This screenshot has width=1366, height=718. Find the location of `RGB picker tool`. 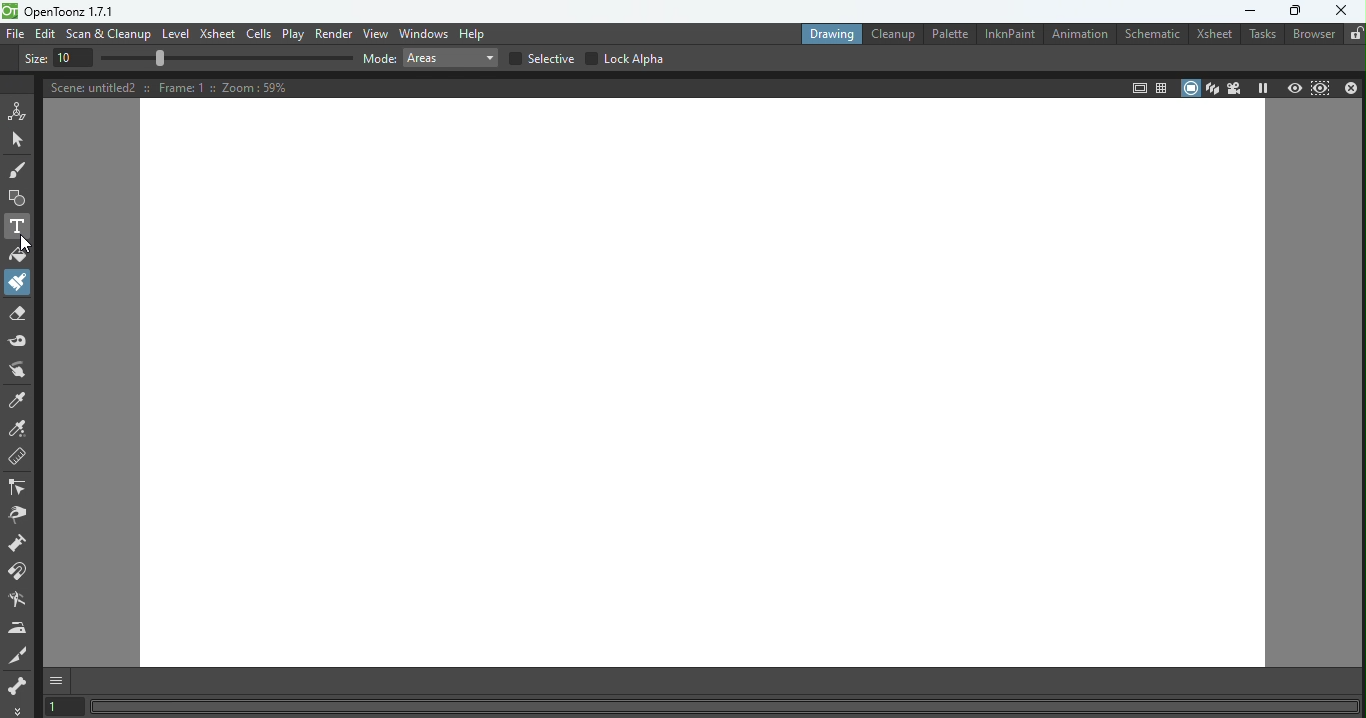

RGB picker tool is located at coordinates (21, 428).